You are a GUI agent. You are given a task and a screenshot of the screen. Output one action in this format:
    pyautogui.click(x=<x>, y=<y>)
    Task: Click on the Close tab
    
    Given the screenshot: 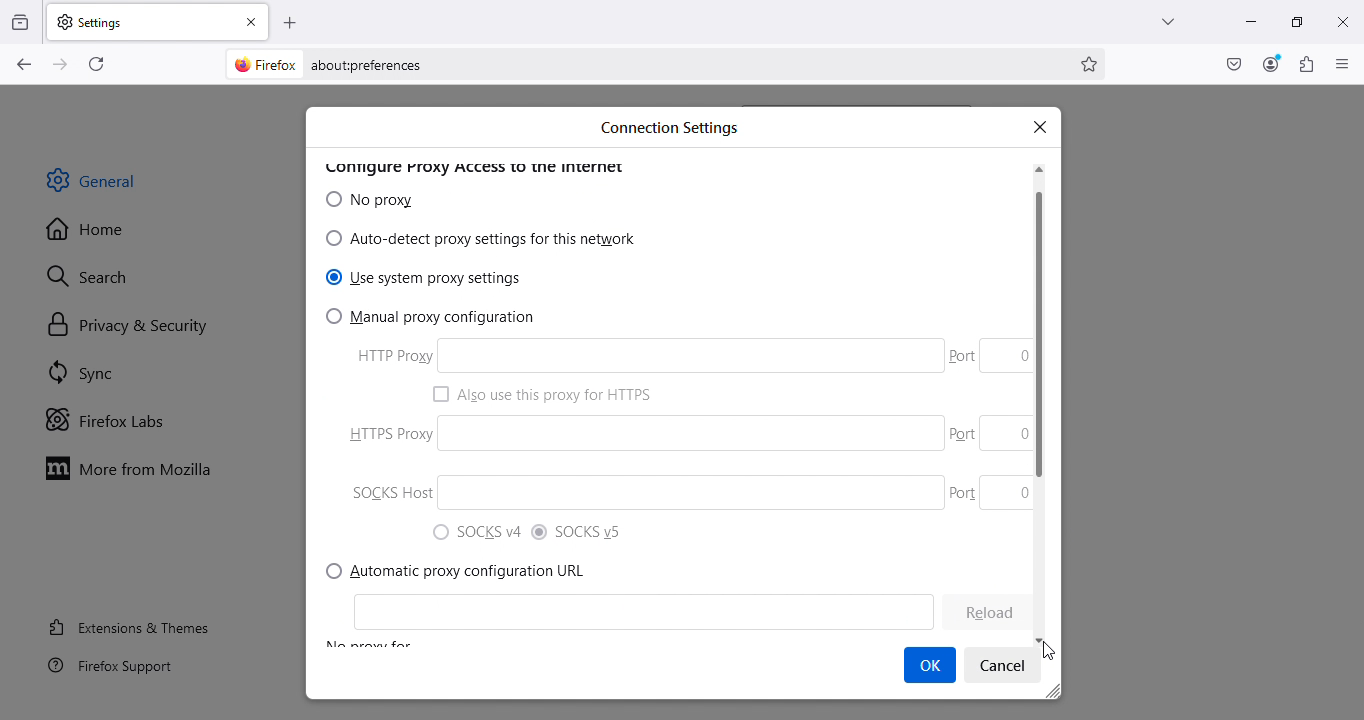 What is the action you would take?
    pyautogui.click(x=255, y=21)
    